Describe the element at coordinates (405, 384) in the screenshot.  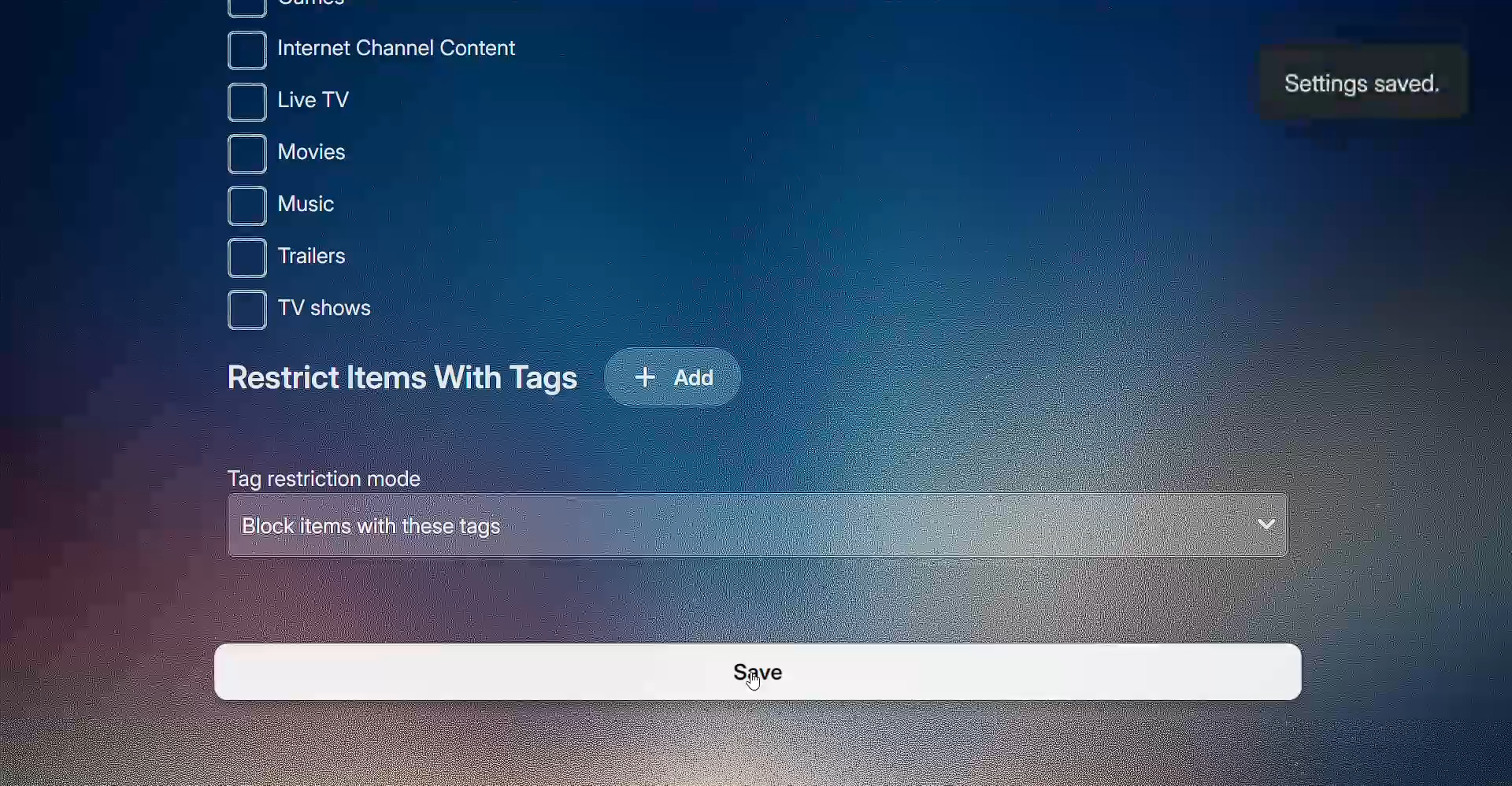
I see `Restrict Items With Tags` at that location.